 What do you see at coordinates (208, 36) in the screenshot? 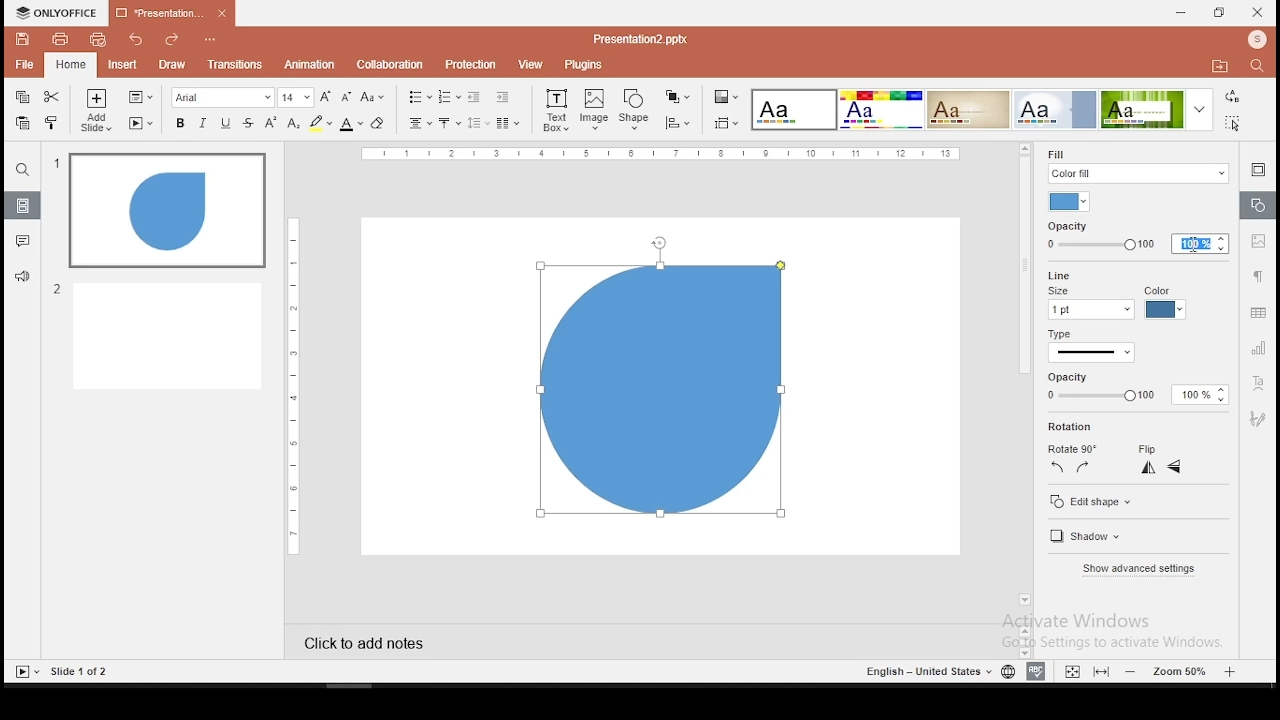
I see `customize quick action toolbar` at bounding box center [208, 36].